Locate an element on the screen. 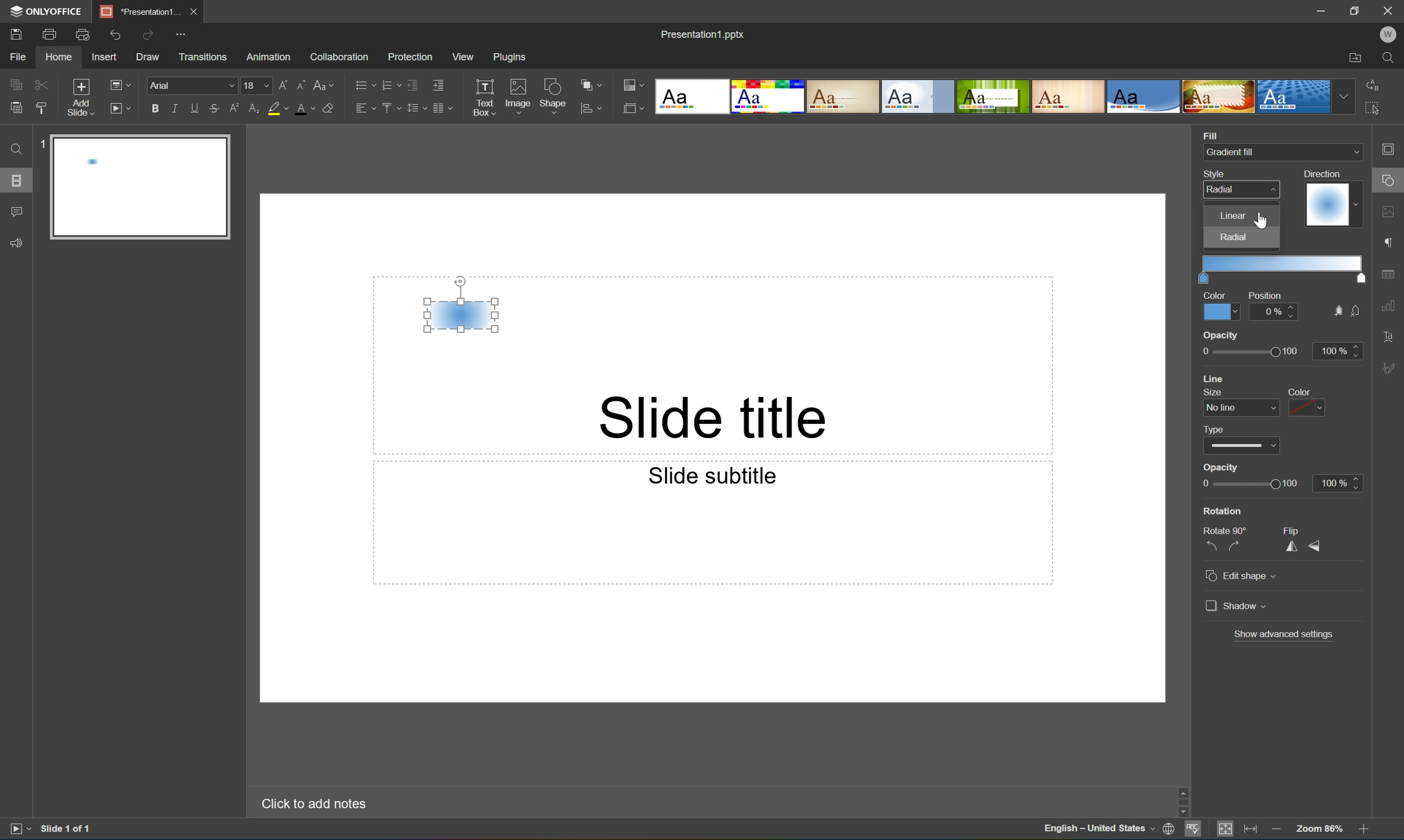 The width and height of the screenshot is (1404, 840). Italic is located at coordinates (174, 109).